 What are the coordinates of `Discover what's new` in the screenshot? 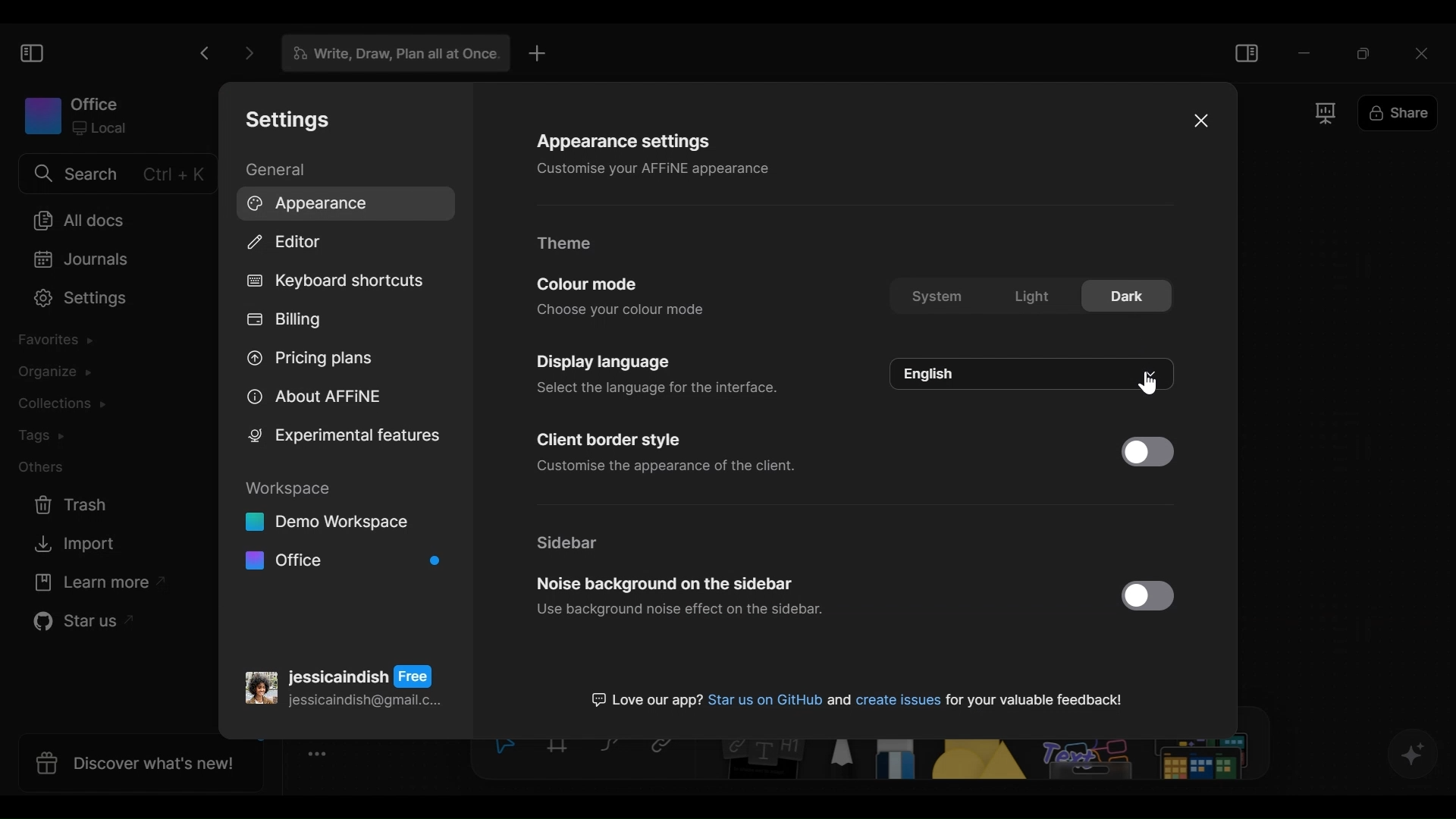 It's located at (134, 762).